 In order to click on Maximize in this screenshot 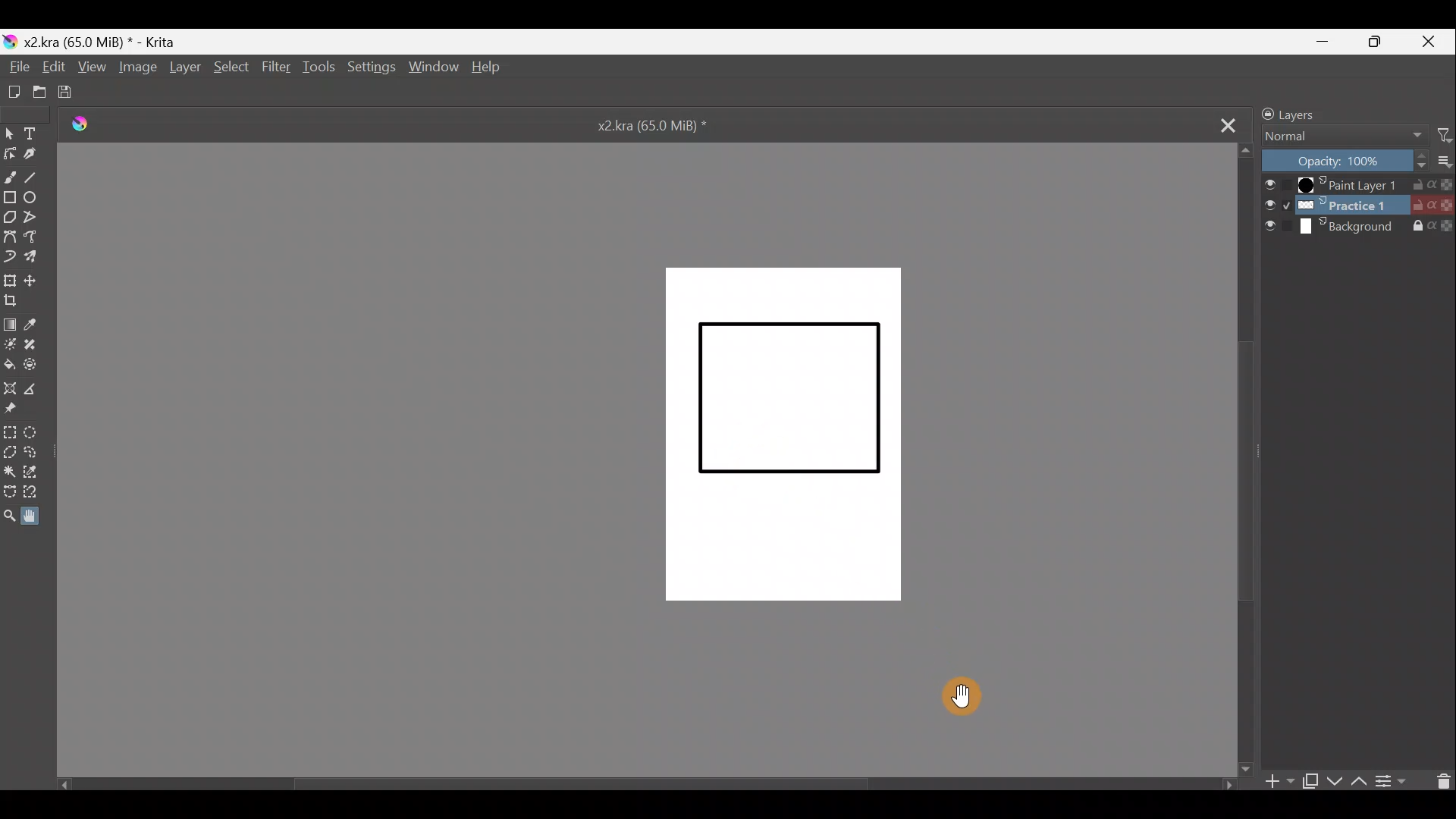, I will do `click(1376, 42)`.